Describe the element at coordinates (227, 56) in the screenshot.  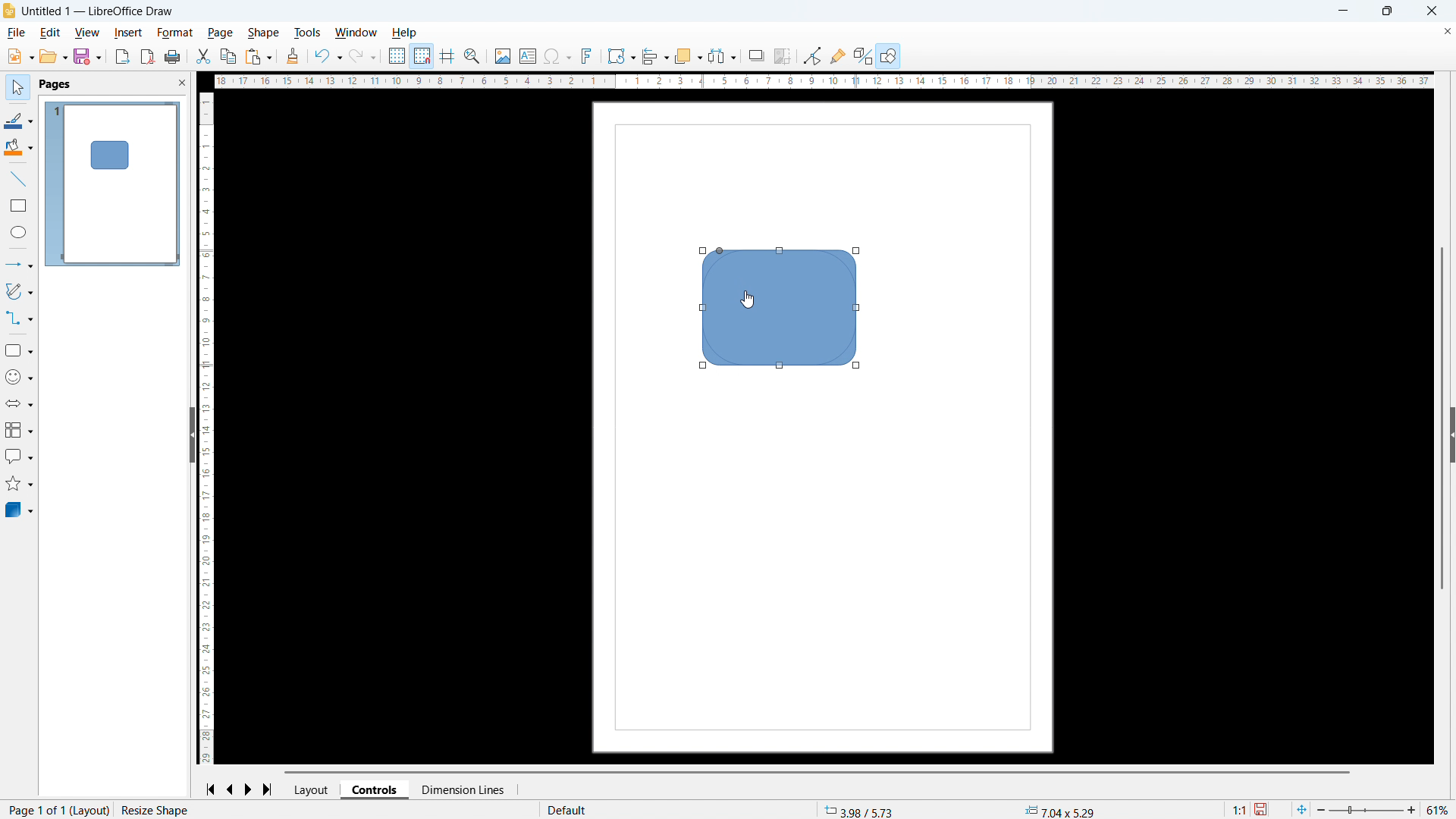
I see `Copy ` at that location.